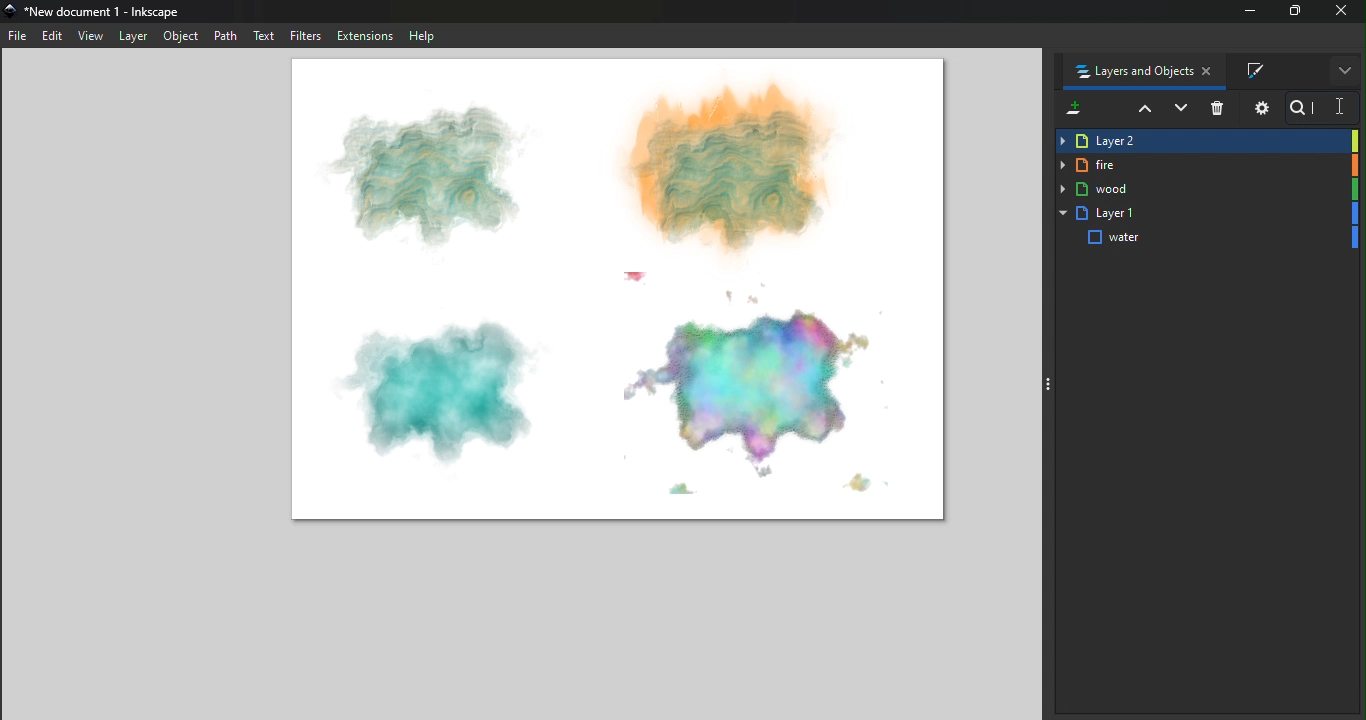  I want to click on Path, so click(228, 36).